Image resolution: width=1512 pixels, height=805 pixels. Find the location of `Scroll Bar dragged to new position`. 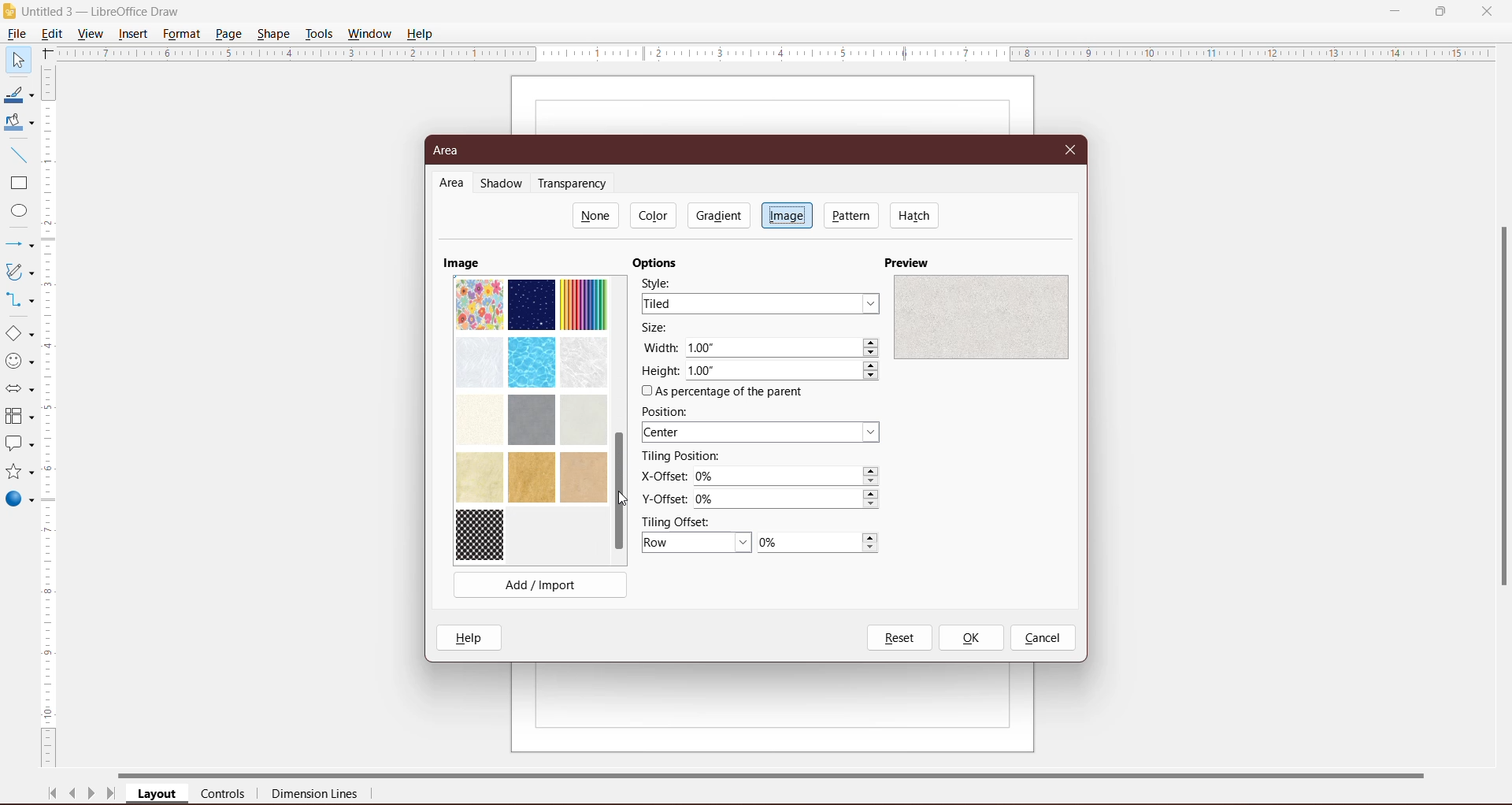

Scroll Bar dragged to new position is located at coordinates (618, 492).